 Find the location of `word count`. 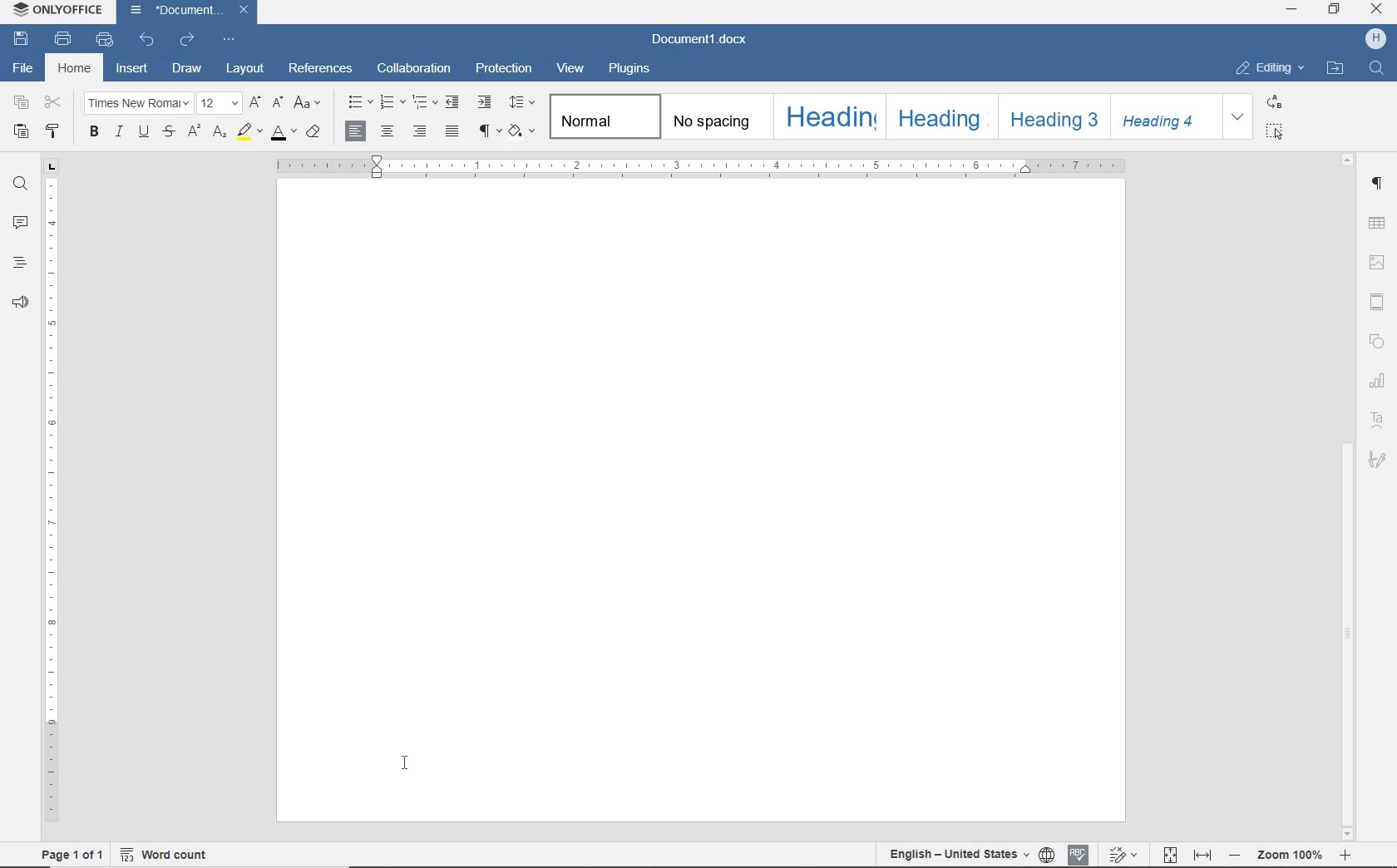

word count is located at coordinates (167, 851).